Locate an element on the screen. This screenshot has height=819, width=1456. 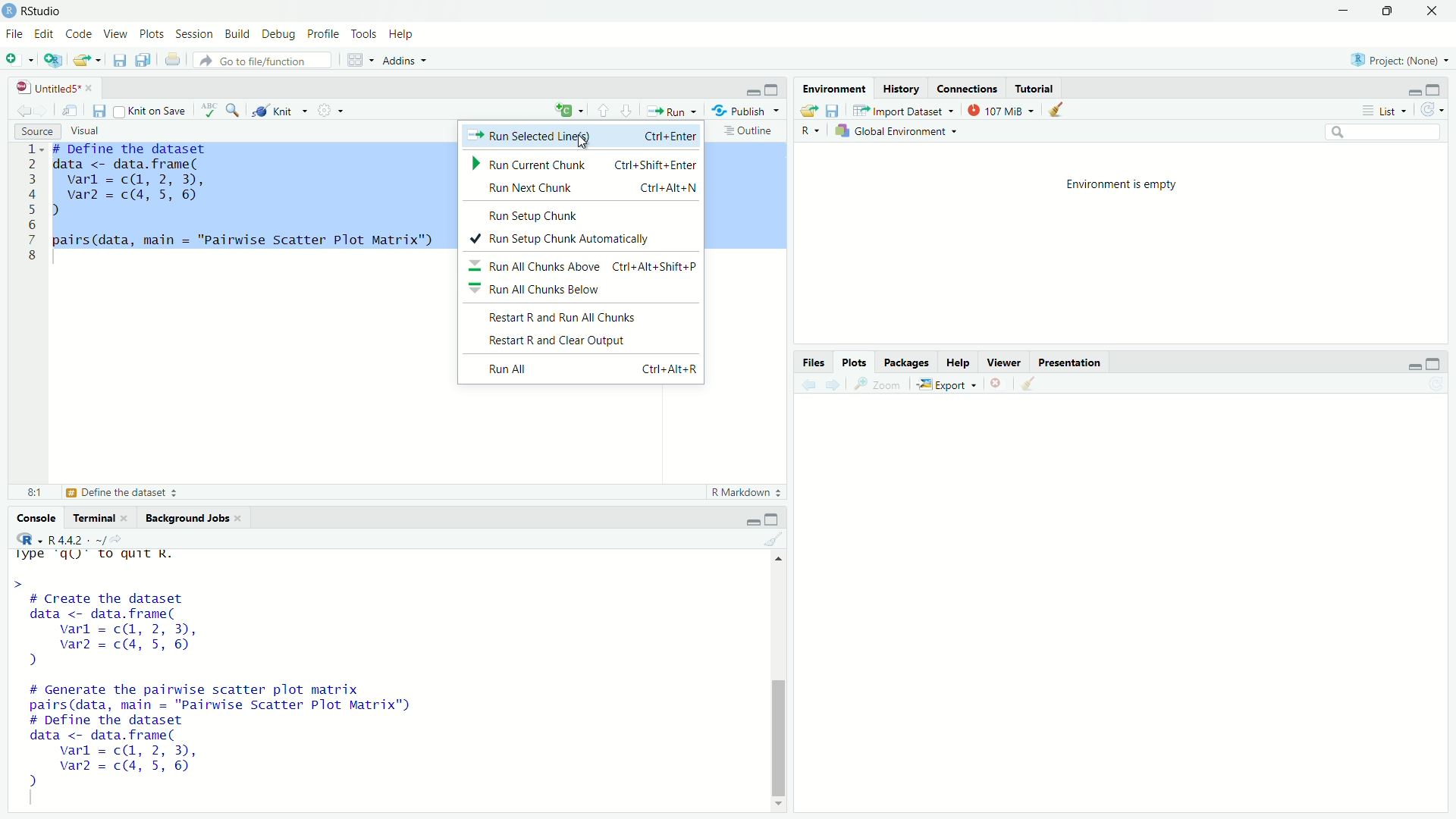
History is located at coordinates (901, 88).